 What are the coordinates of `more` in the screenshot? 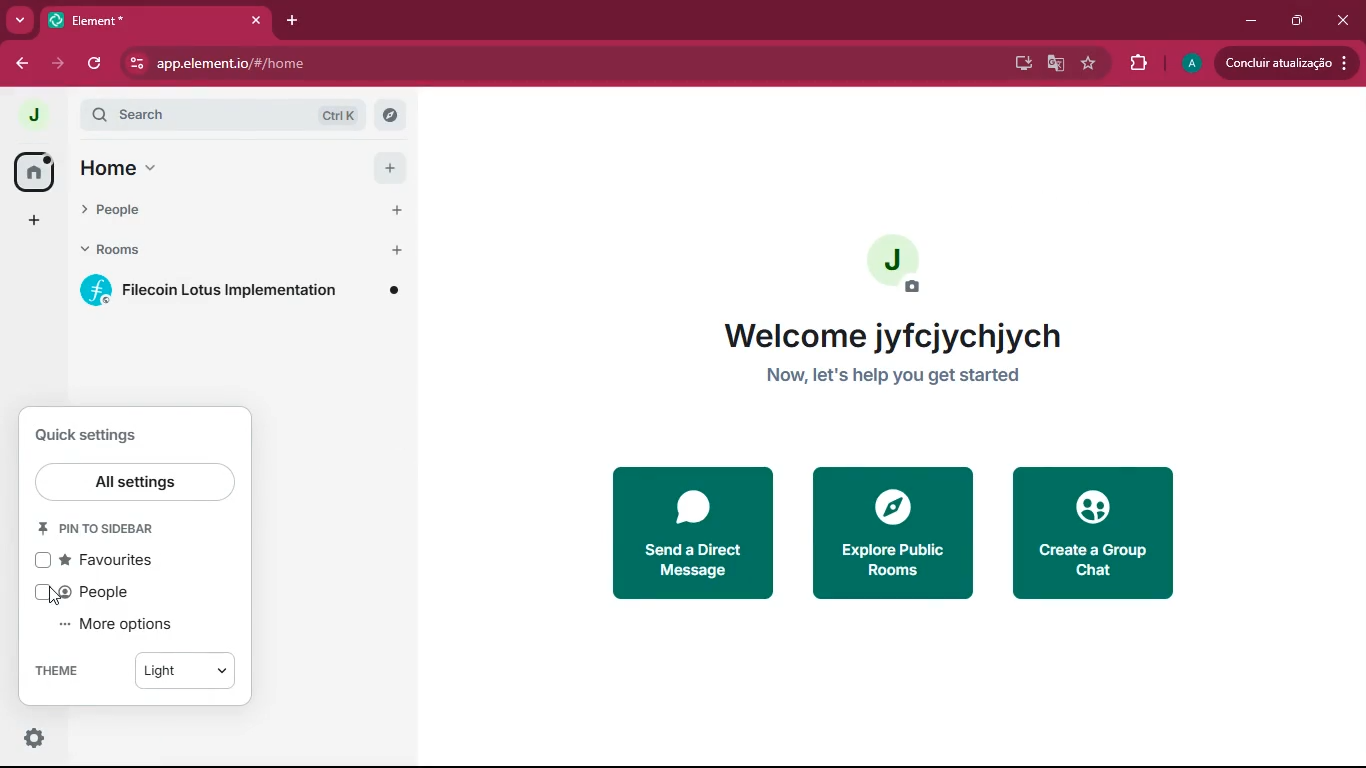 It's located at (18, 18).